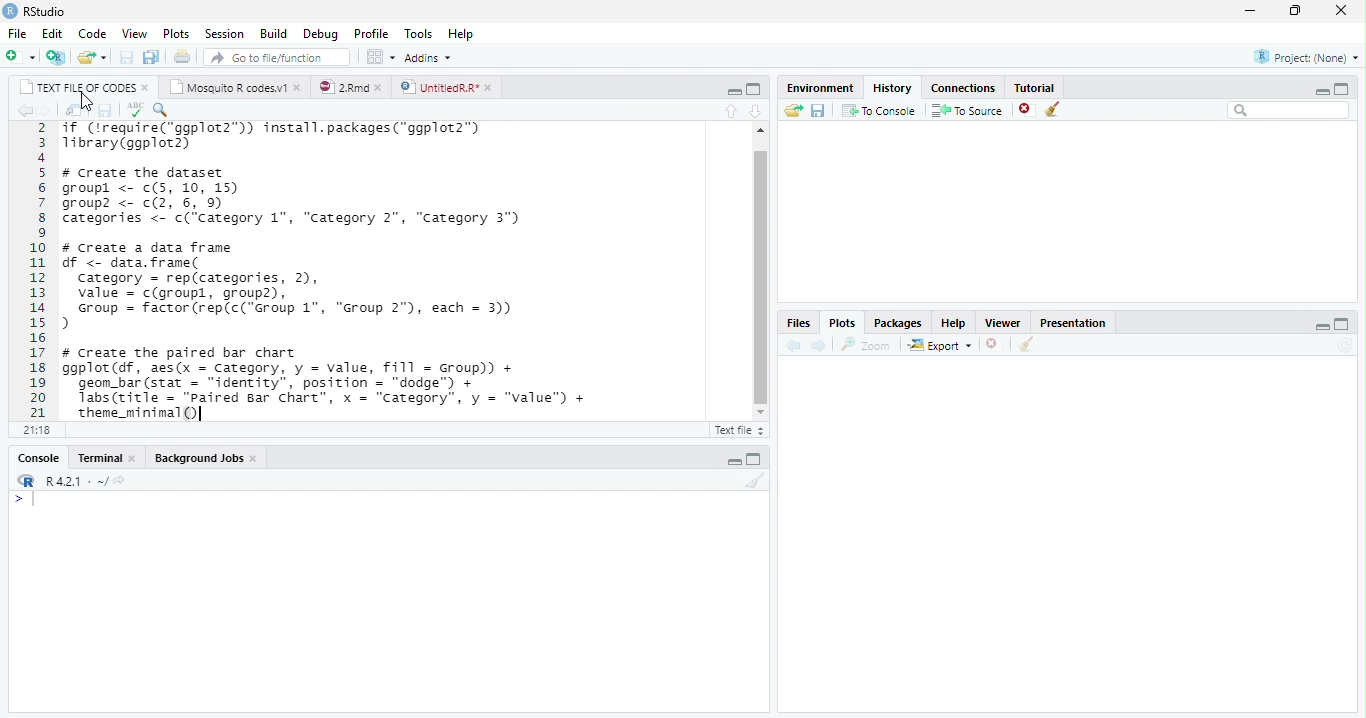 This screenshot has height=718, width=1366. What do you see at coordinates (877, 110) in the screenshot?
I see `to console : send the selected commands to the R console` at bounding box center [877, 110].